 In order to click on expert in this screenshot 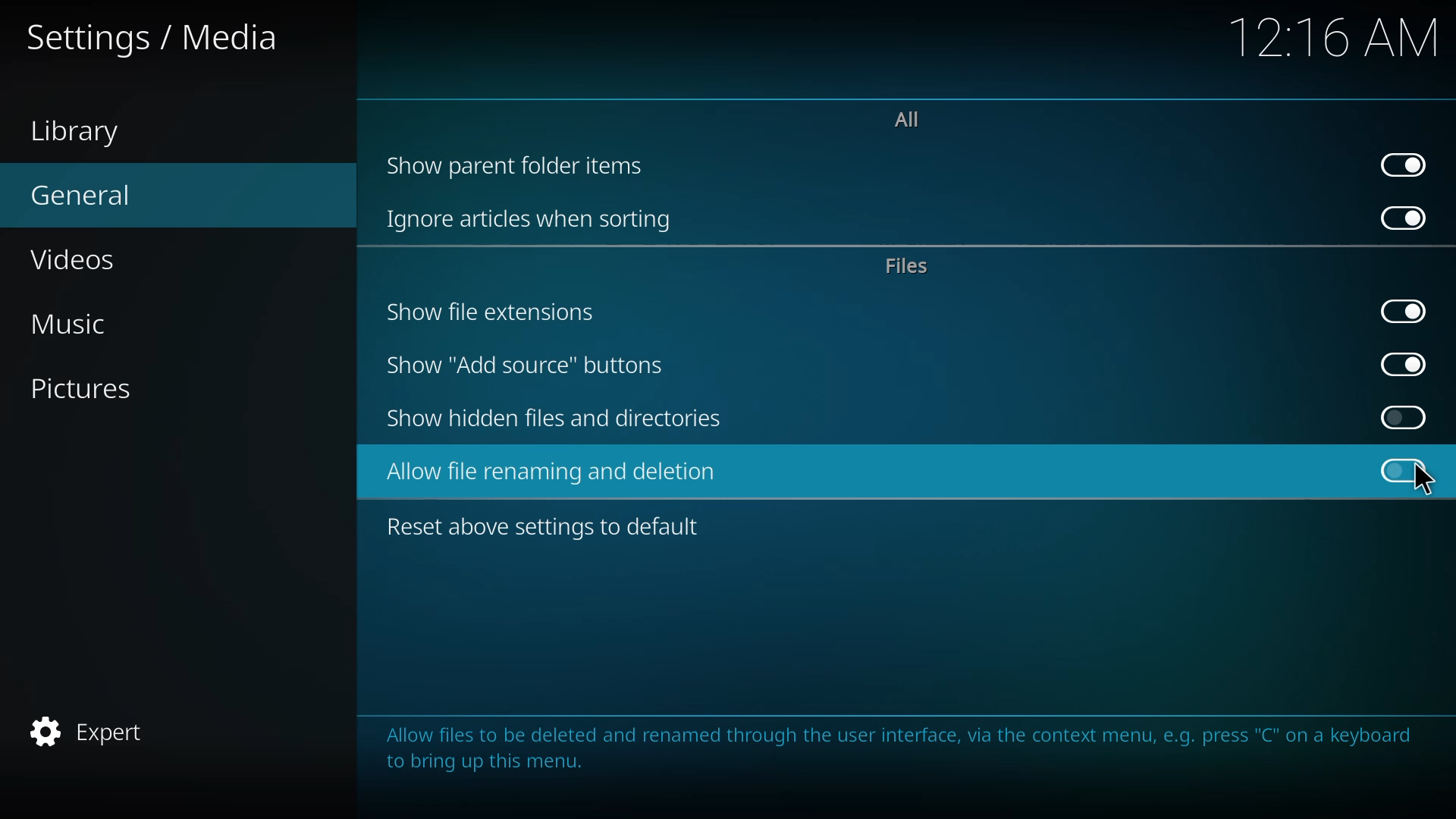, I will do `click(93, 729)`.